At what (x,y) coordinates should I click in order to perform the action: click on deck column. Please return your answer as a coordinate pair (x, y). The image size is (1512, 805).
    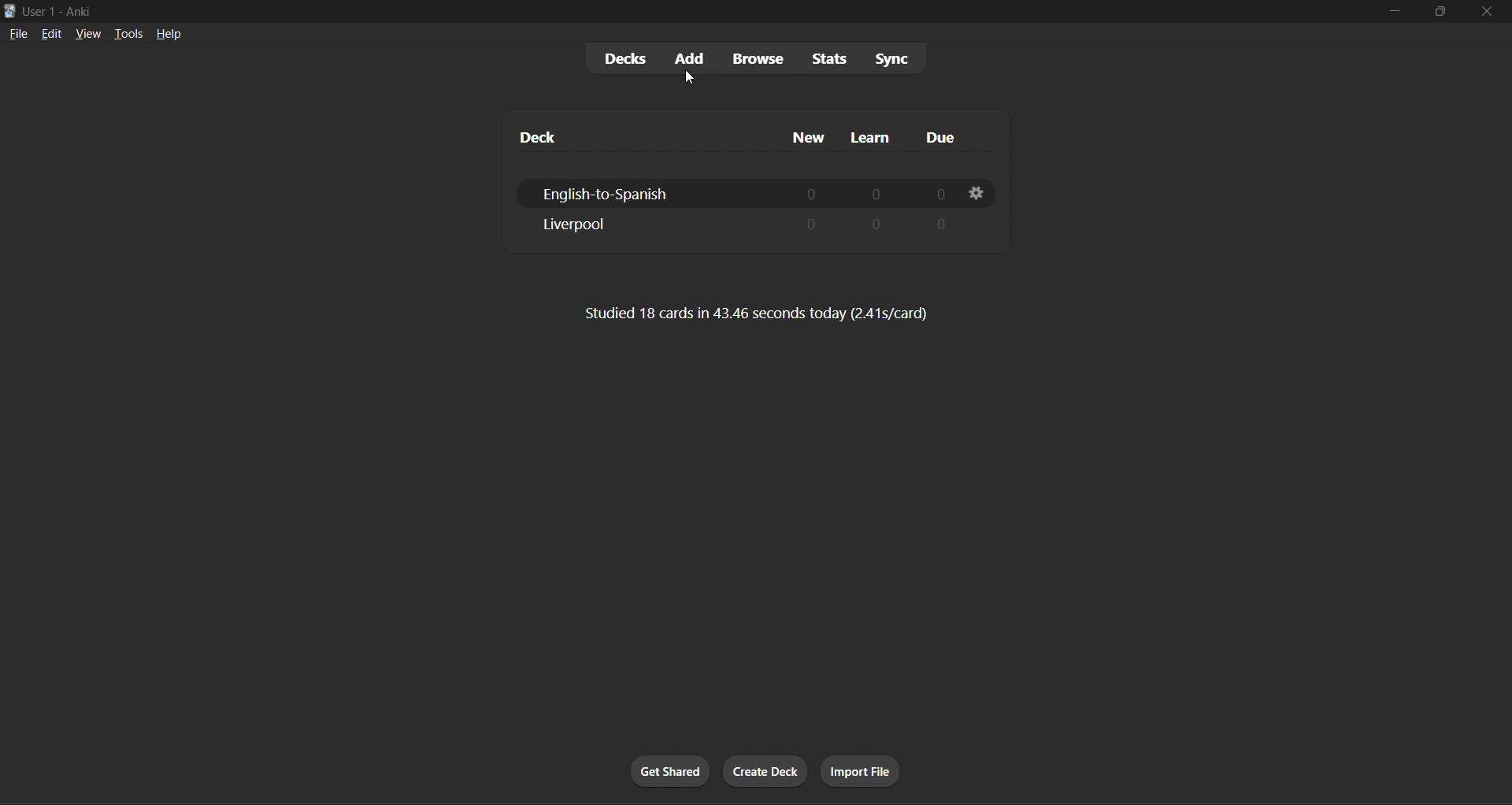
    Looking at the image, I should click on (624, 132).